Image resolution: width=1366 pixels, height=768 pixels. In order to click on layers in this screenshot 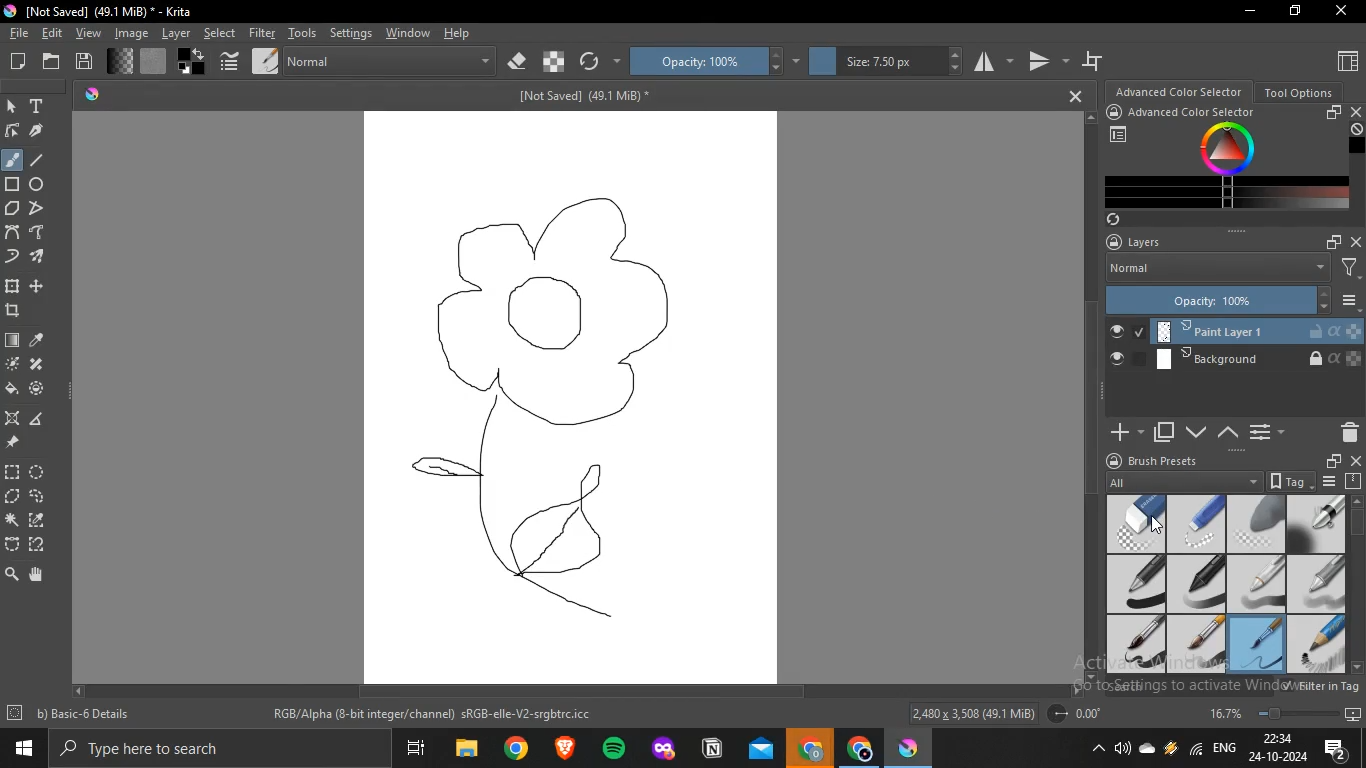, I will do `click(1143, 241)`.